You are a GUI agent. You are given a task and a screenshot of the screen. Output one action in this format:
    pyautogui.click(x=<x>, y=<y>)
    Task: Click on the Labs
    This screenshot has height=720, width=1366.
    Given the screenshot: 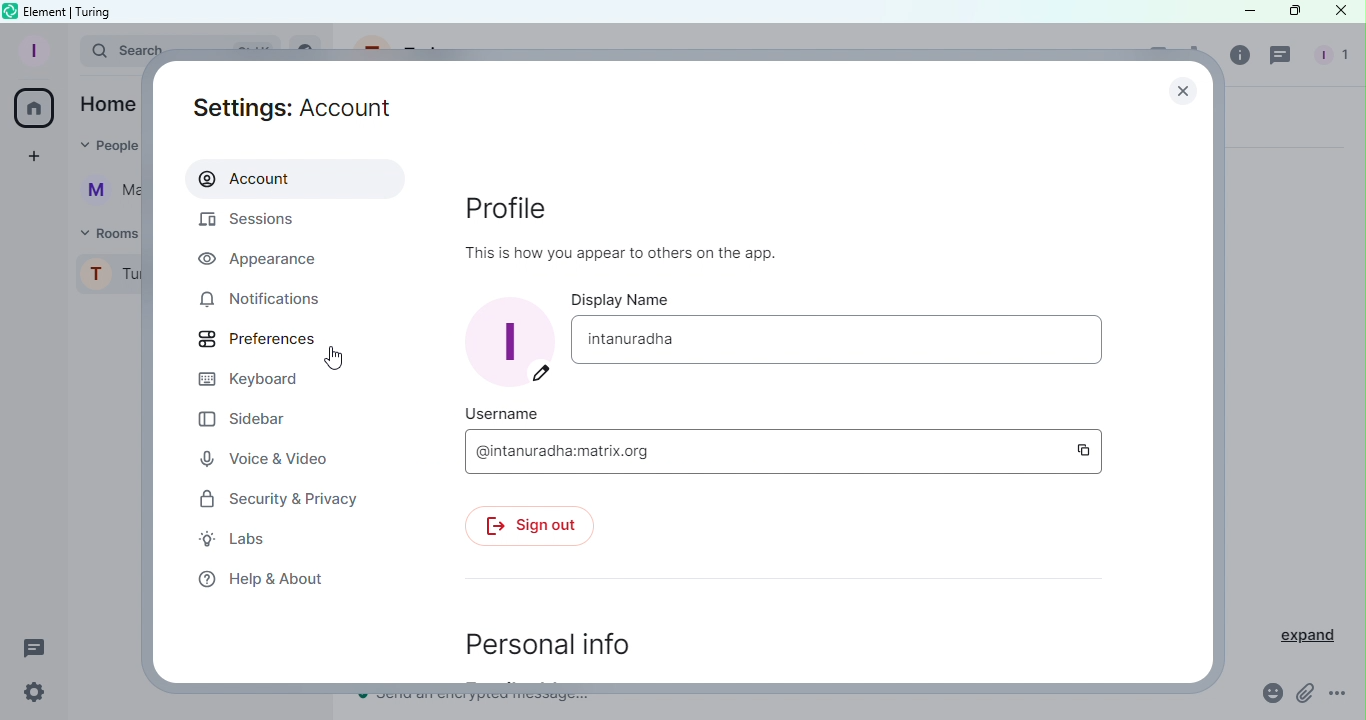 What is the action you would take?
    pyautogui.click(x=251, y=541)
    